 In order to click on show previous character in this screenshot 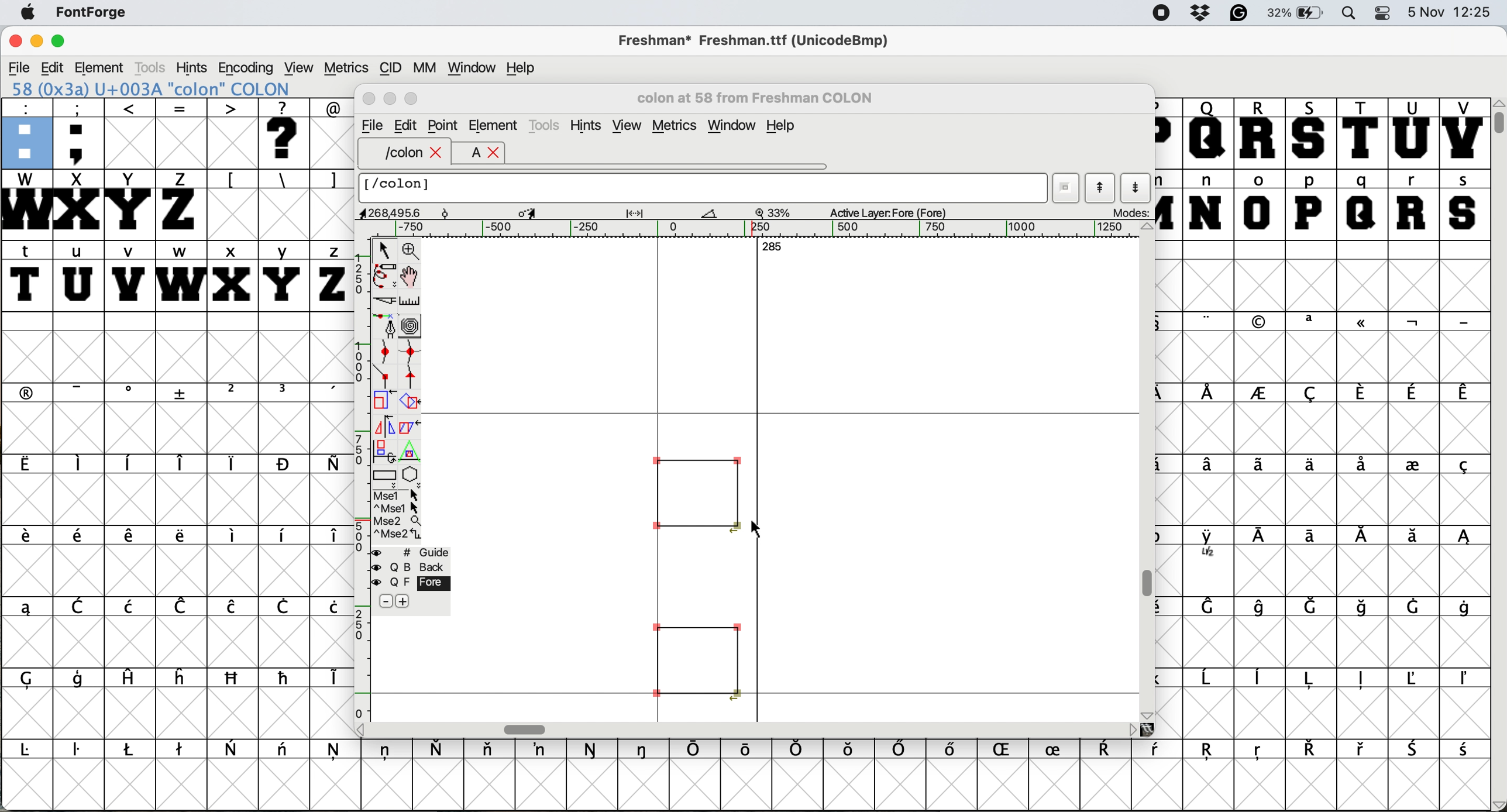, I will do `click(1097, 184)`.